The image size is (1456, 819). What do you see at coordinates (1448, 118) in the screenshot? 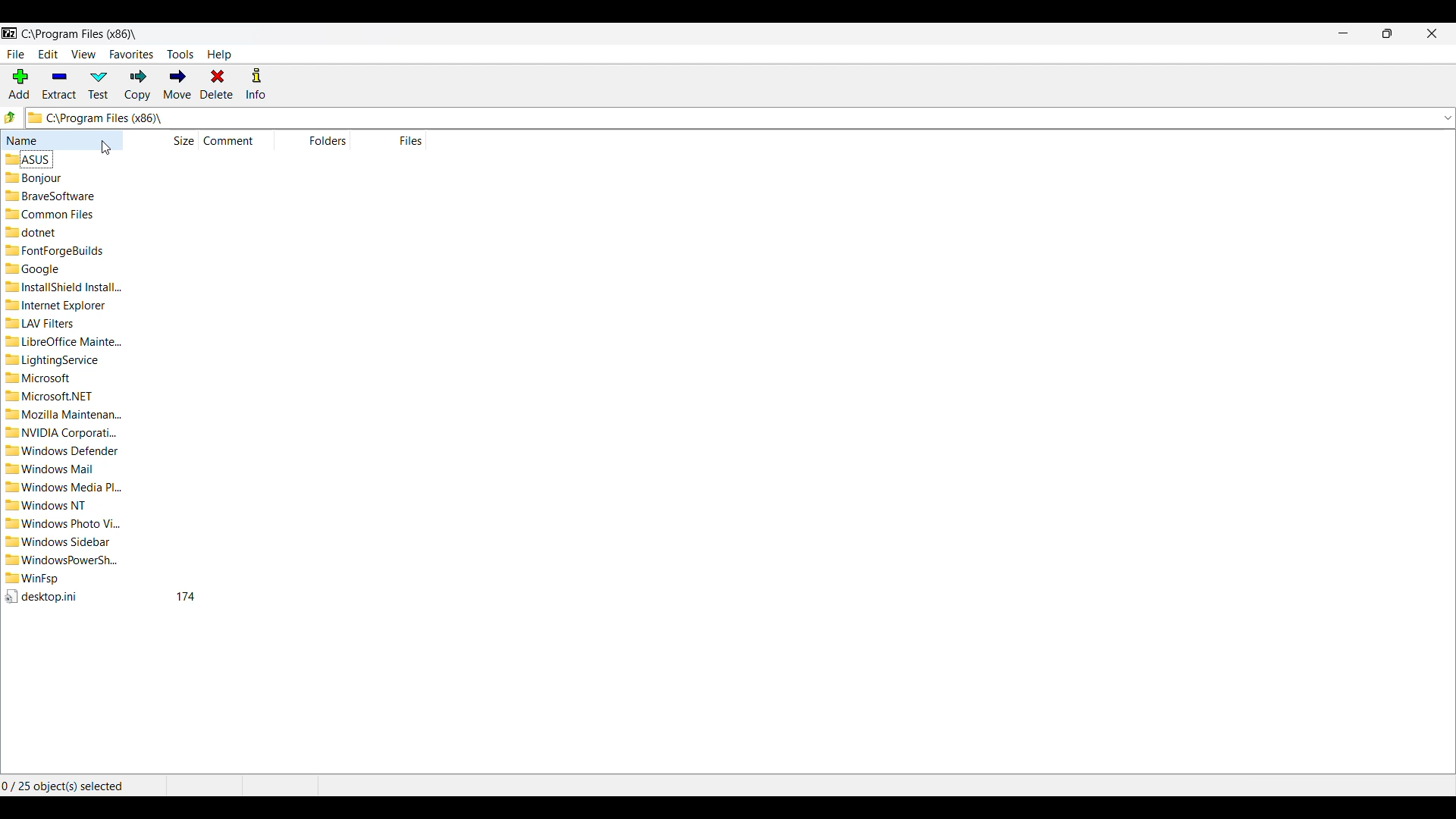
I see `List folder options` at bounding box center [1448, 118].